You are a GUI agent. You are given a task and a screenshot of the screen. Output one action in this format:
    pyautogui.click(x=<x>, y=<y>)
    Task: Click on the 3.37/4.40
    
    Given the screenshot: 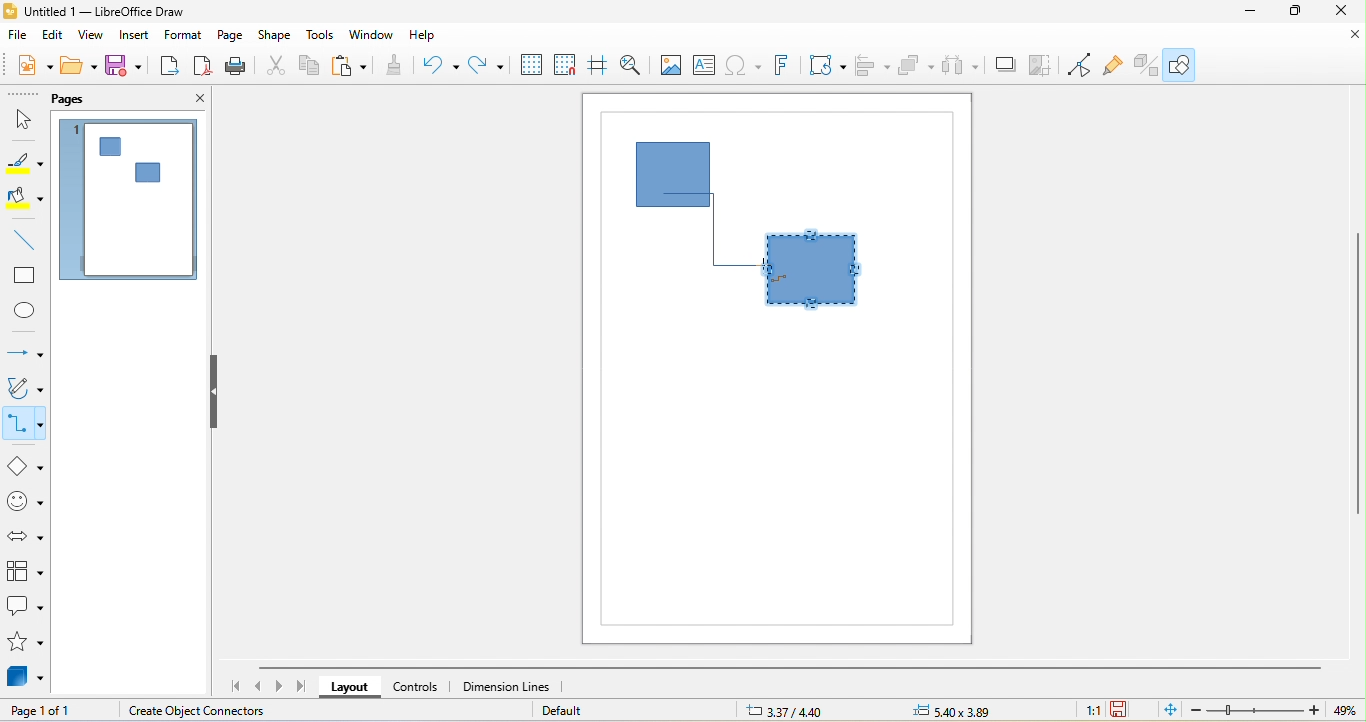 What is the action you would take?
    pyautogui.click(x=794, y=713)
    